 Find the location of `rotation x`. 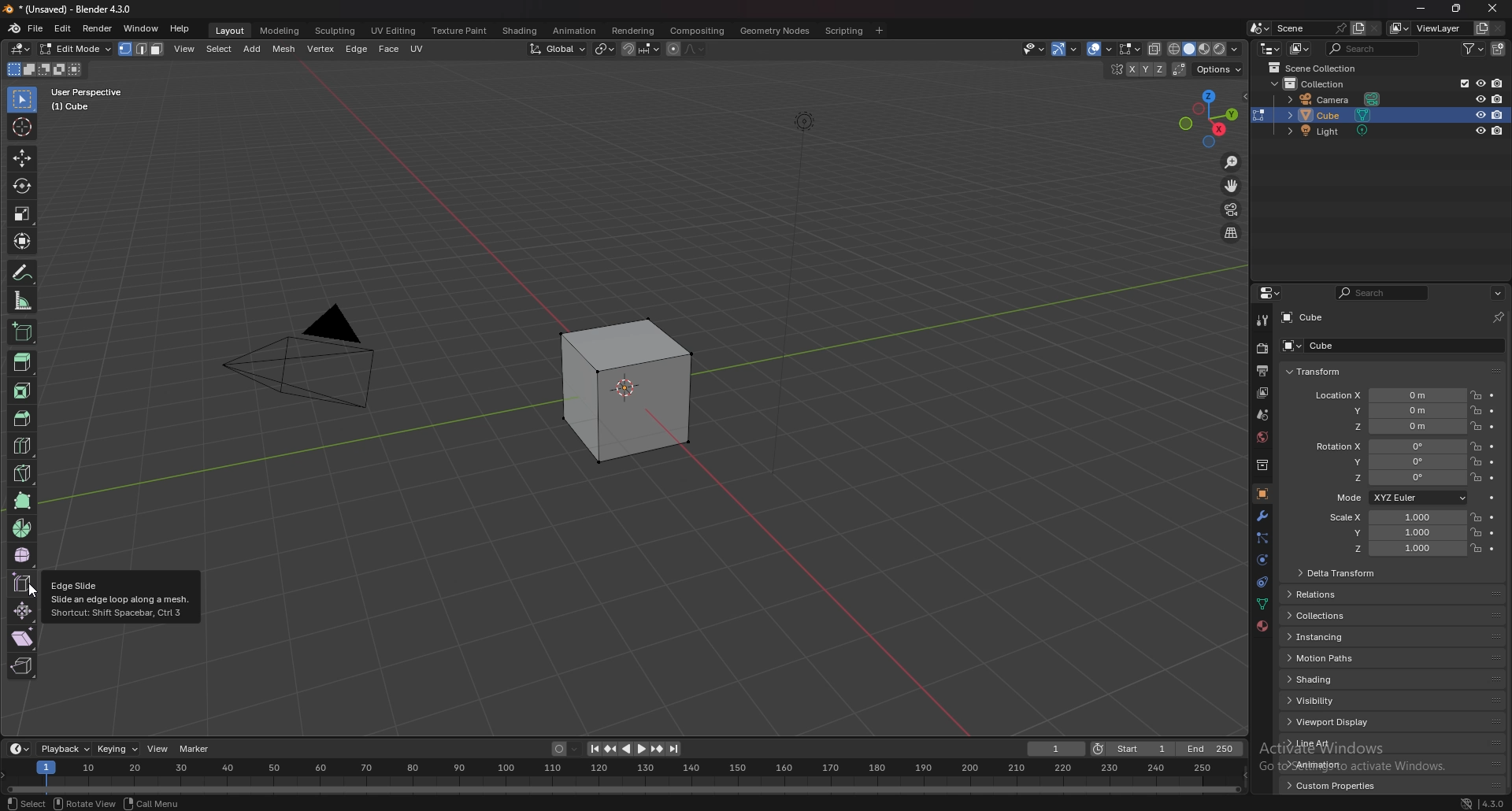

rotation x is located at coordinates (1388, 447).